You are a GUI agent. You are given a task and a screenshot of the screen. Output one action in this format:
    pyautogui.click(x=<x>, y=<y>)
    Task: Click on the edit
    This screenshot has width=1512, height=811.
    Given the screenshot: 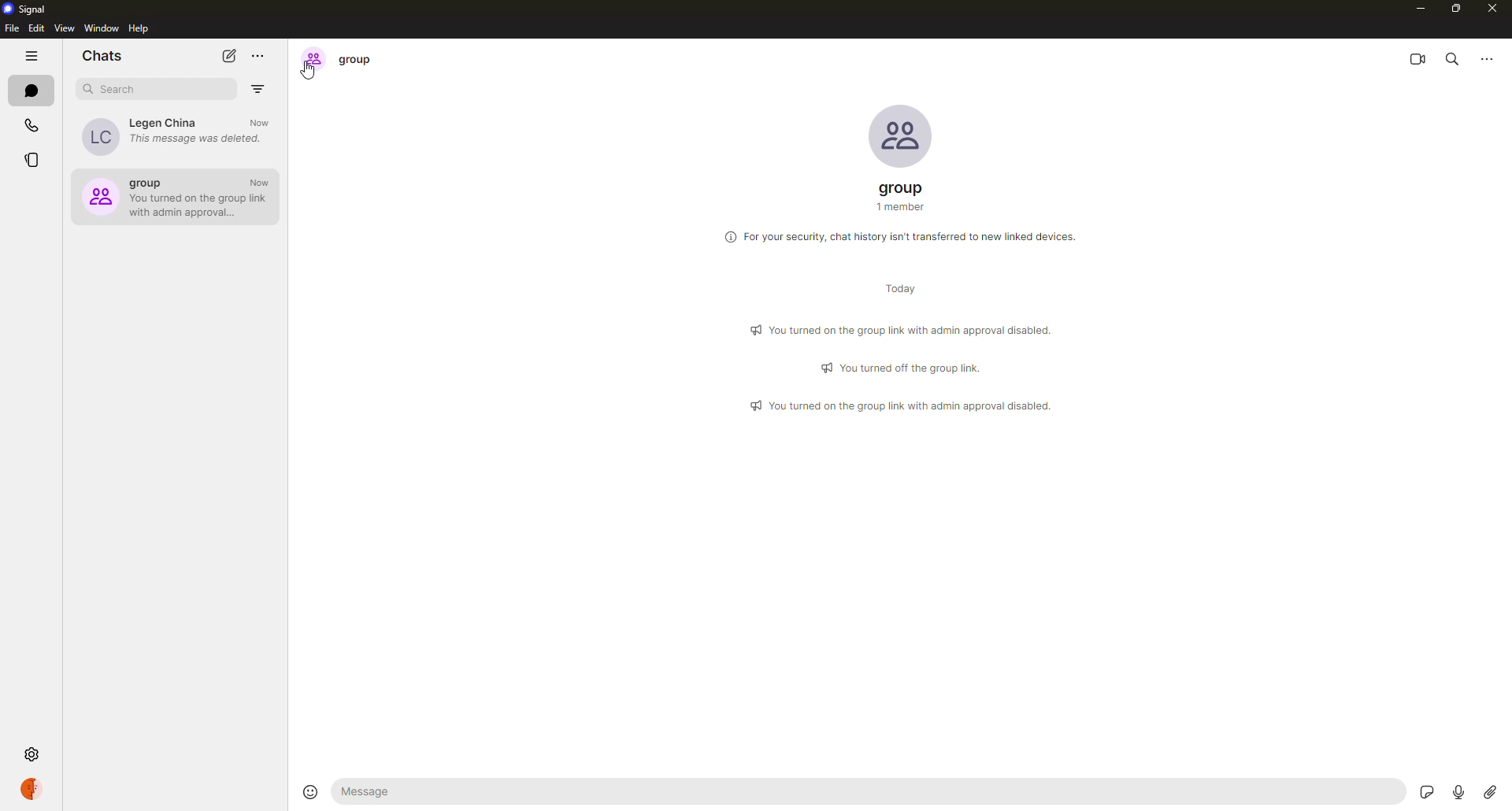 What is the action you would take?
    pyautogui.click(x=36, y=28)
    